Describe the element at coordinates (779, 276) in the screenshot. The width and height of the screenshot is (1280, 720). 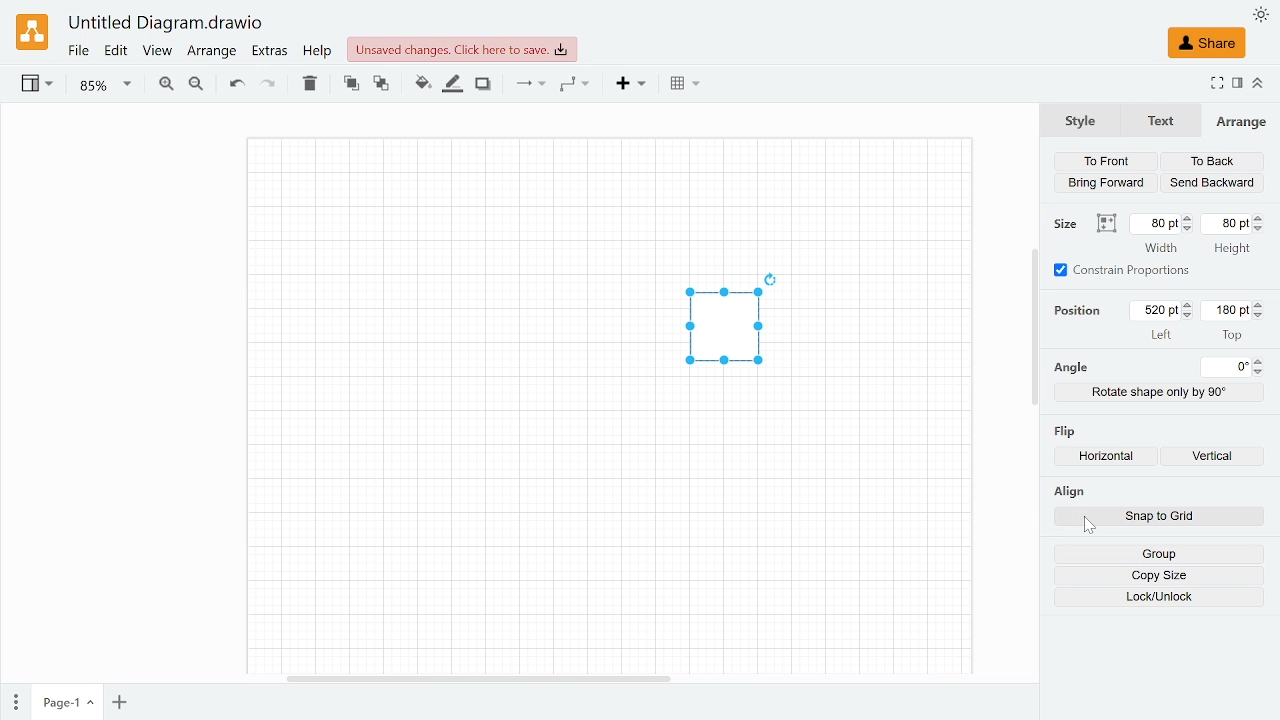
I see `Rotate` at that location.